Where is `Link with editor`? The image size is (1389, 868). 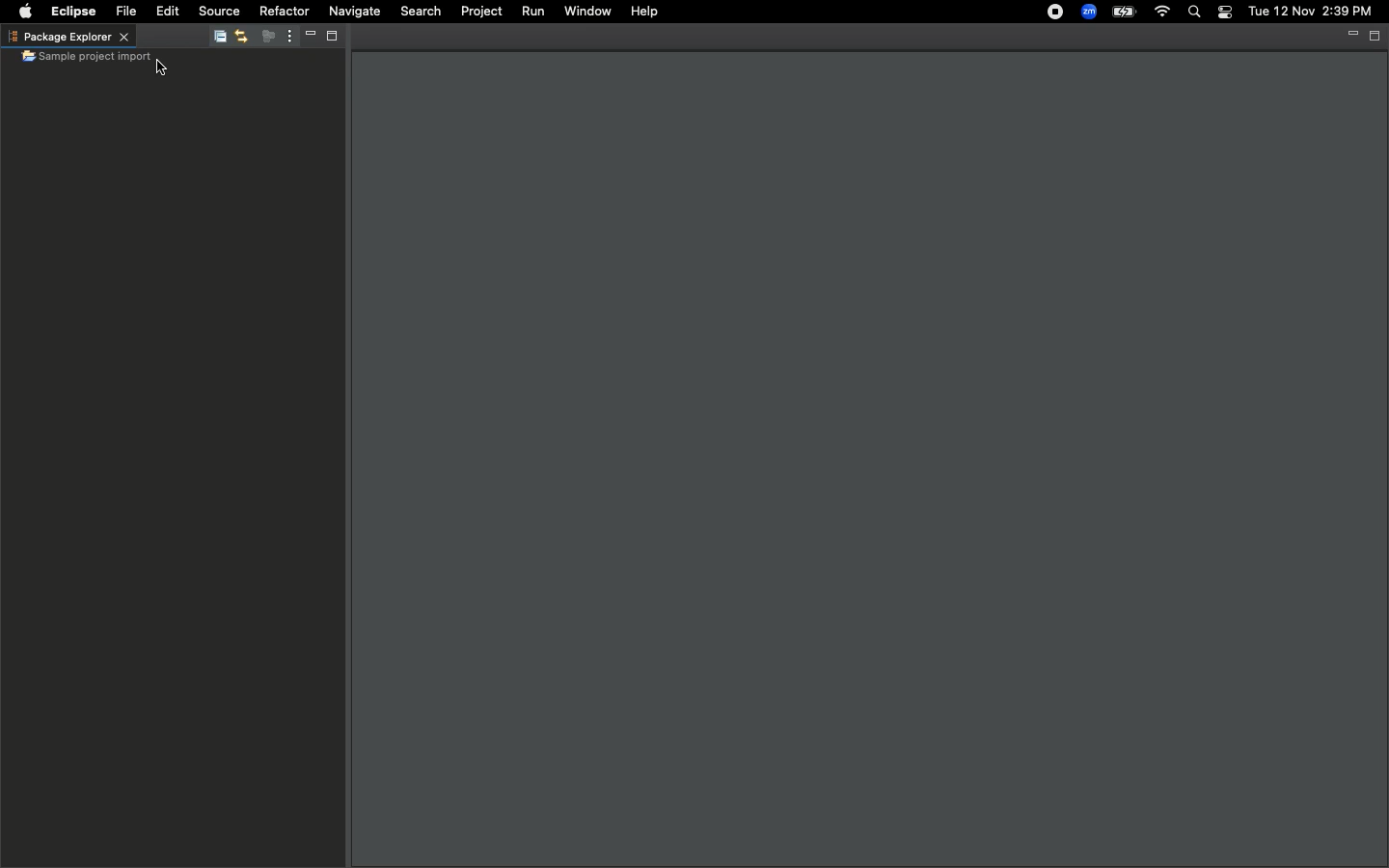 Link with editor is located at coordinates (240, 38).